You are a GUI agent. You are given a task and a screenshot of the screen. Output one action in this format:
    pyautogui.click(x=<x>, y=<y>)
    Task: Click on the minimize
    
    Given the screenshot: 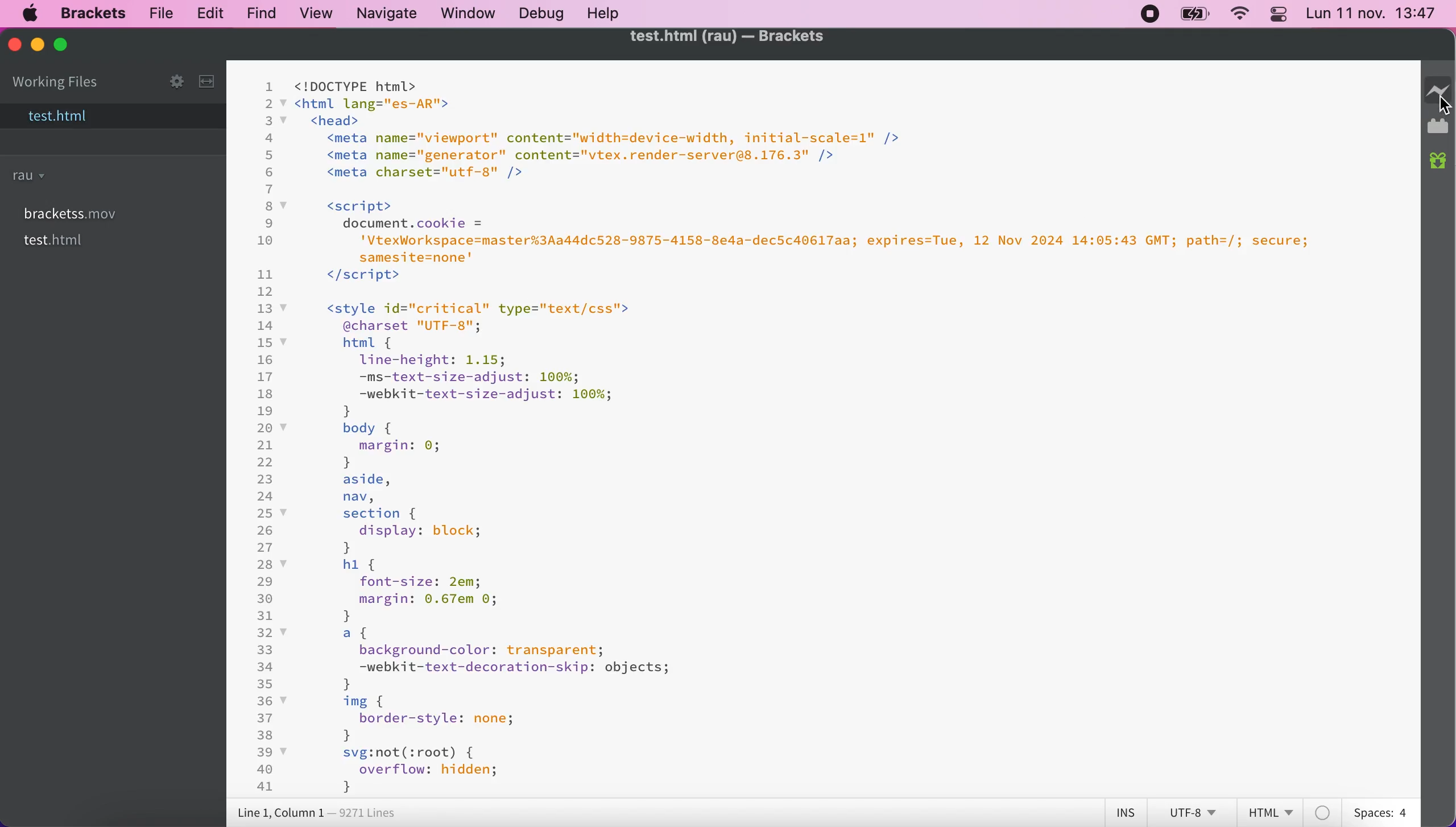 What is the action you would take?
    pyautogui.click(x=38, y=43)
    